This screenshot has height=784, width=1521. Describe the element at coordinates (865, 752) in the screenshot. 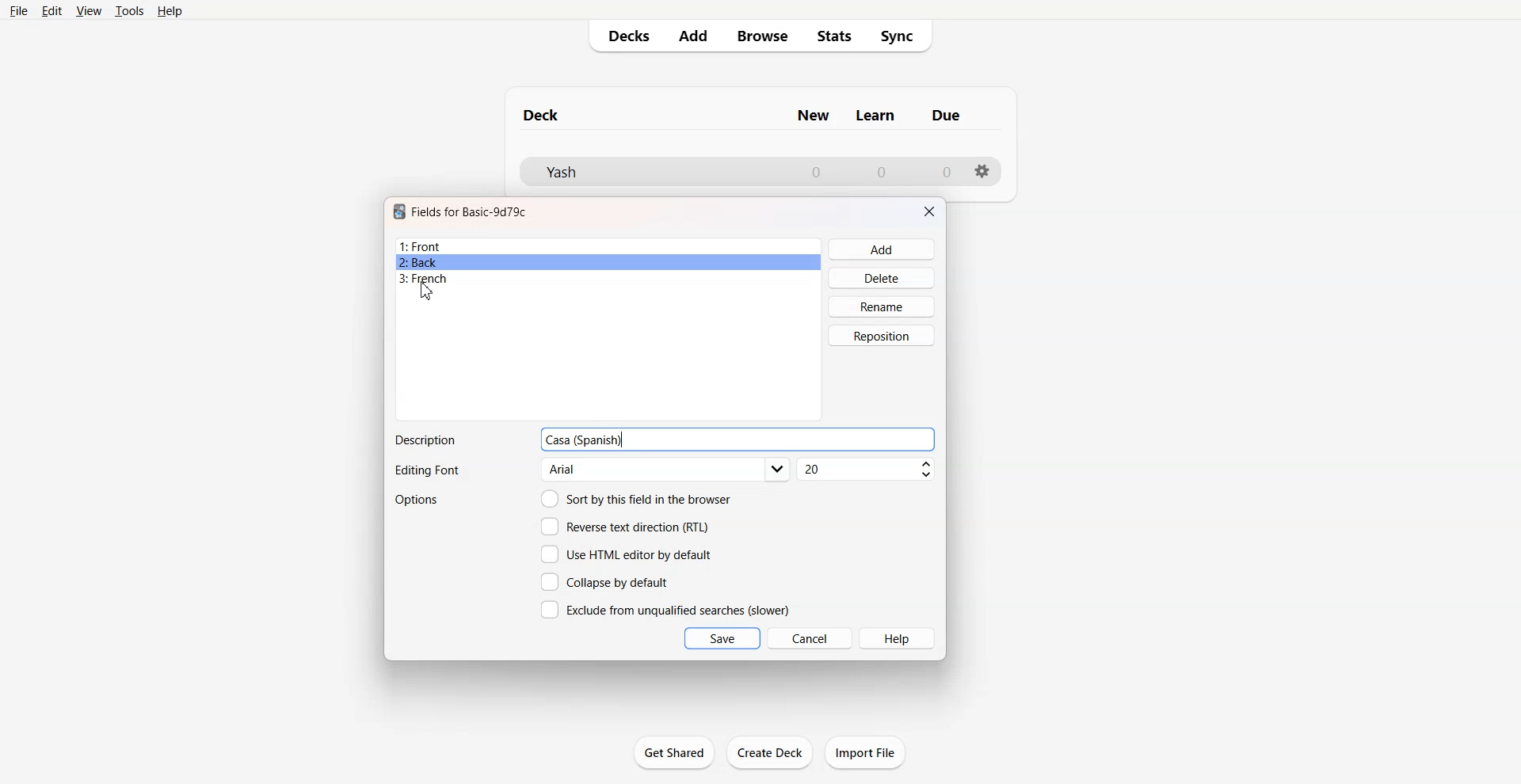

I see `Import File` at that location.